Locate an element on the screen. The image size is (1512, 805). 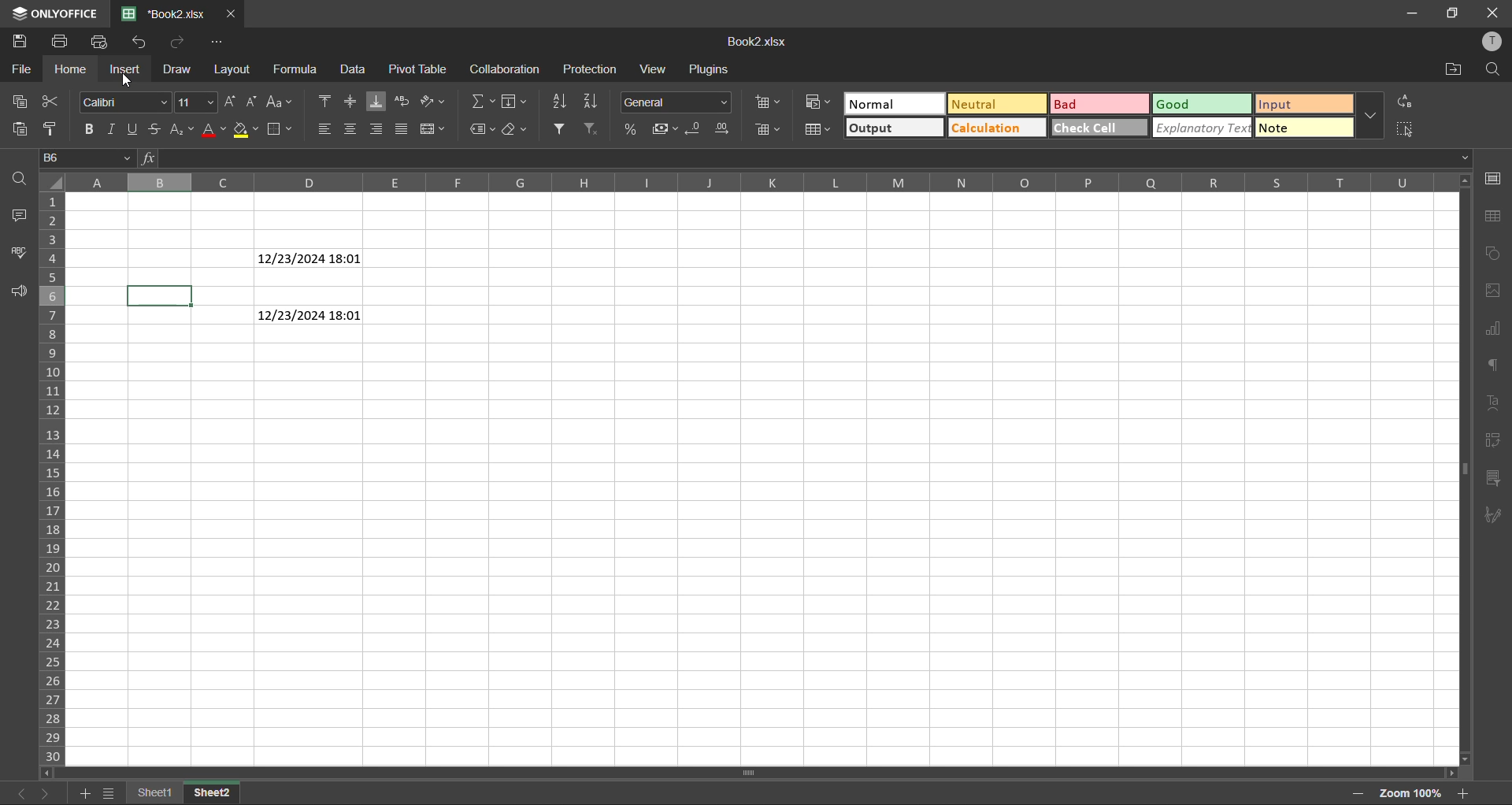
bad is located at coordinates (1103, 105).